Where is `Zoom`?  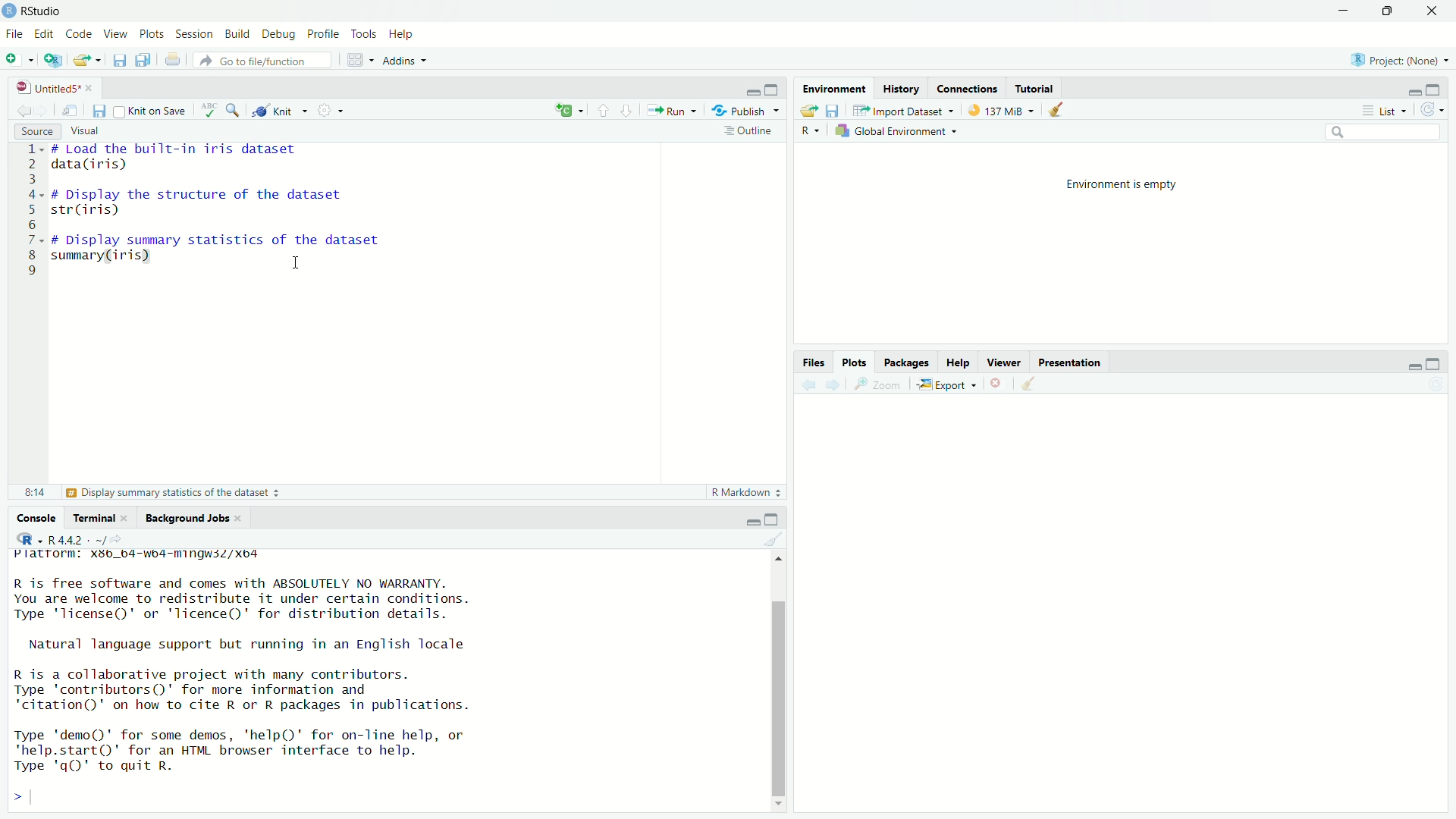 Zoom is located at coordinates (876, 384).